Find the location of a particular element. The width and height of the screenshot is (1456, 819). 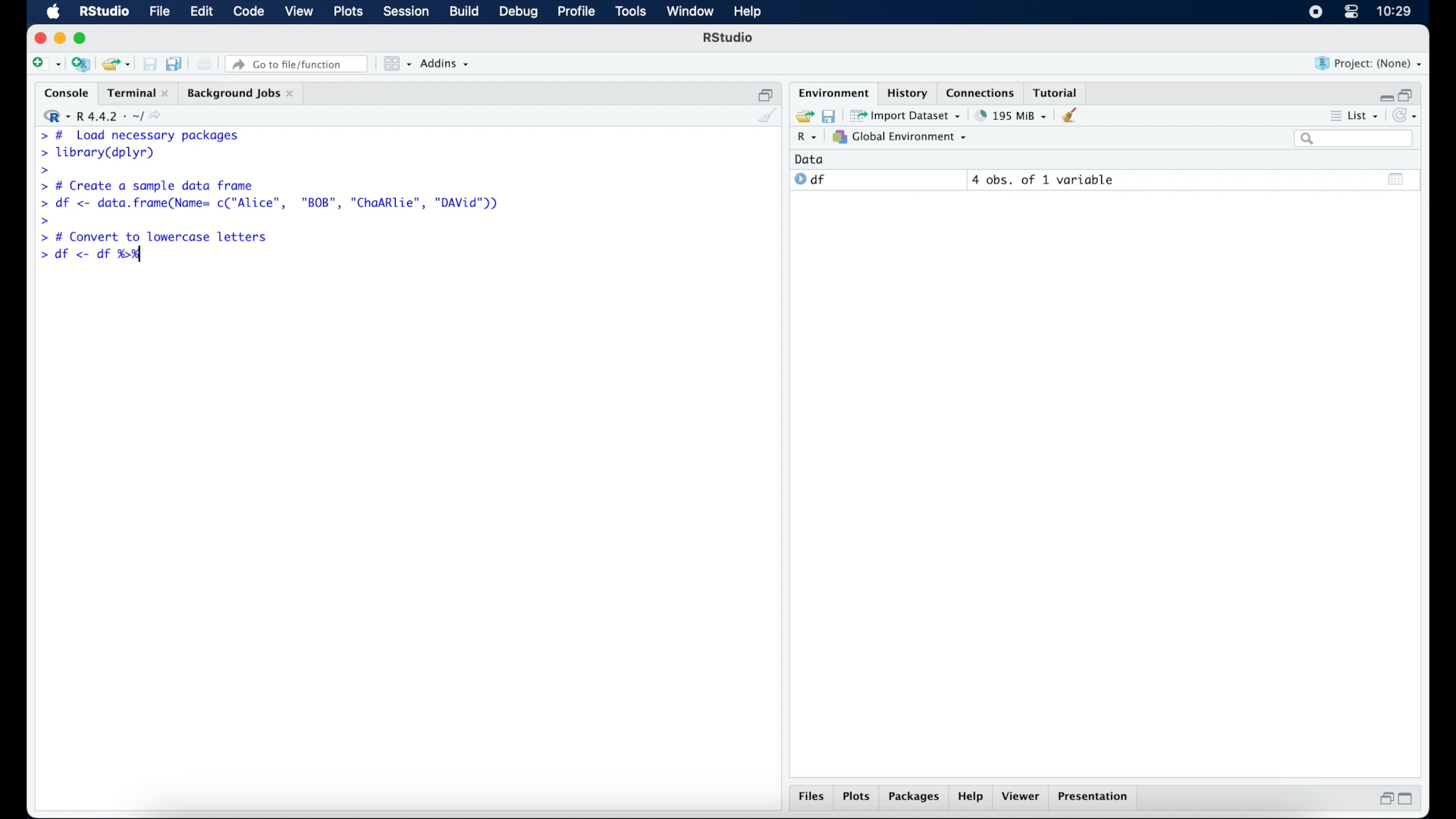

go to file/function is located at coordinates (297, 64).